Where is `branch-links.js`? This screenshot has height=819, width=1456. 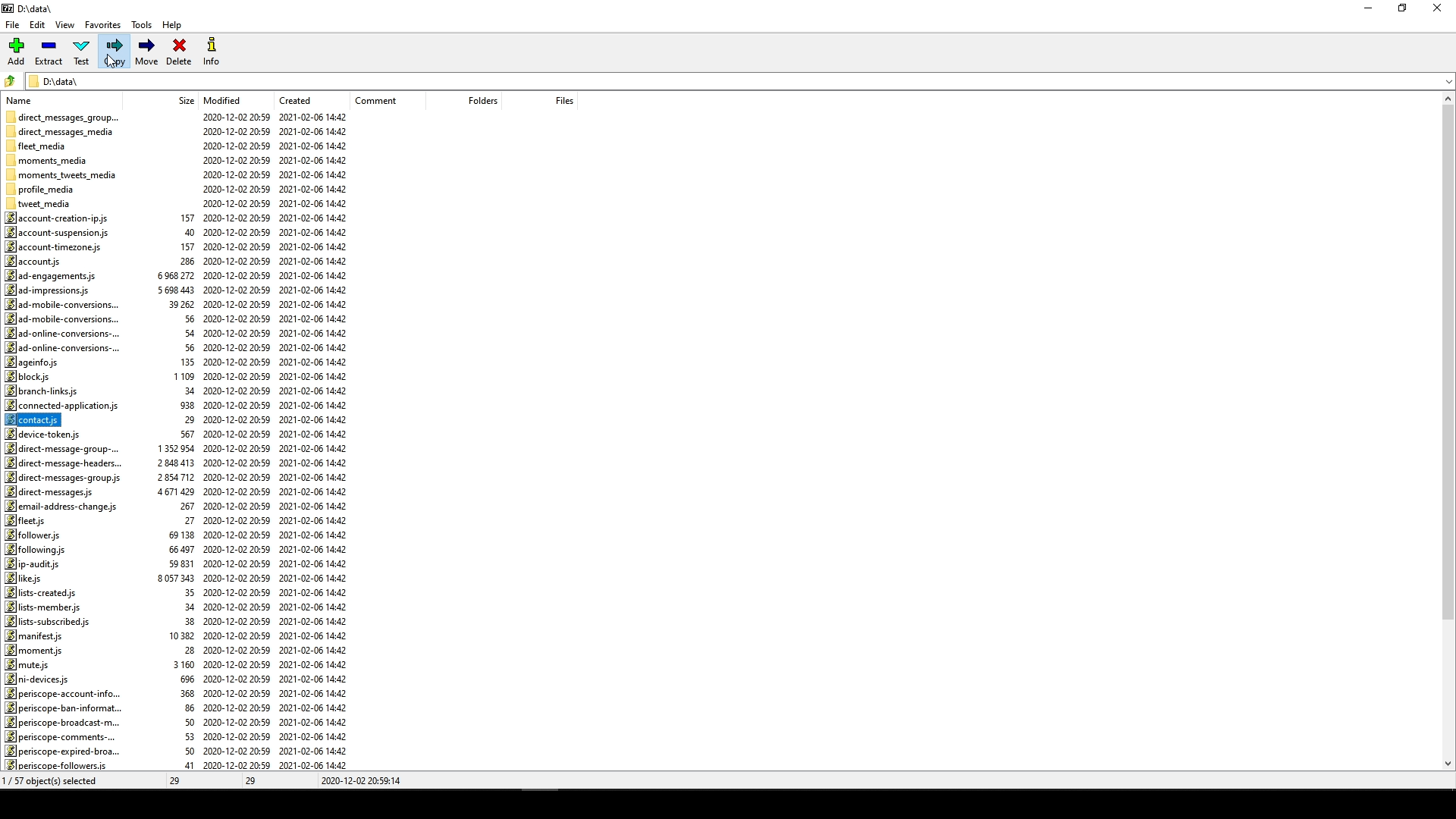
branch-links.js is located at coordinates (45, 391).